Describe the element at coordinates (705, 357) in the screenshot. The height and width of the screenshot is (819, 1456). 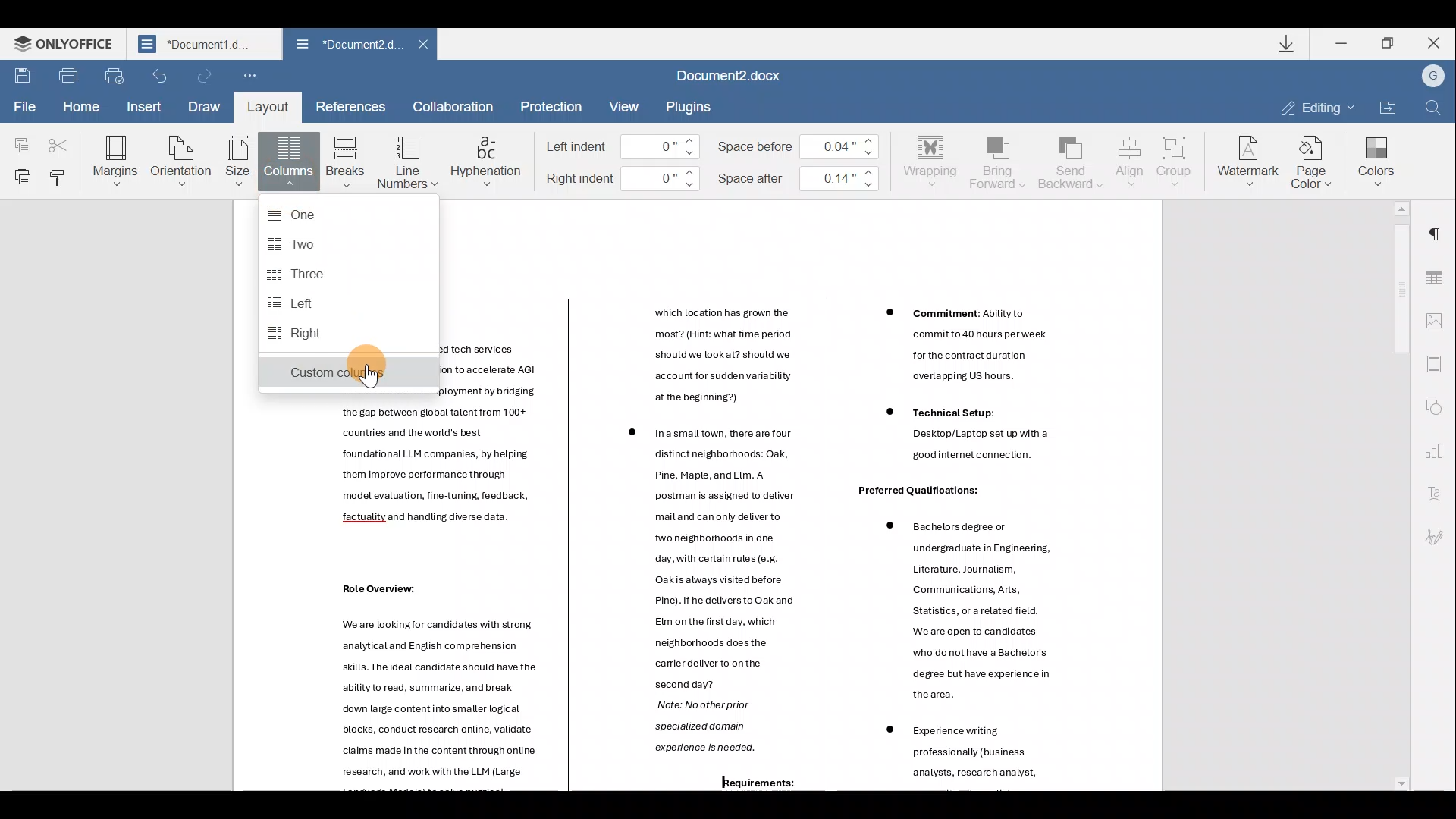
I see `` at that location.